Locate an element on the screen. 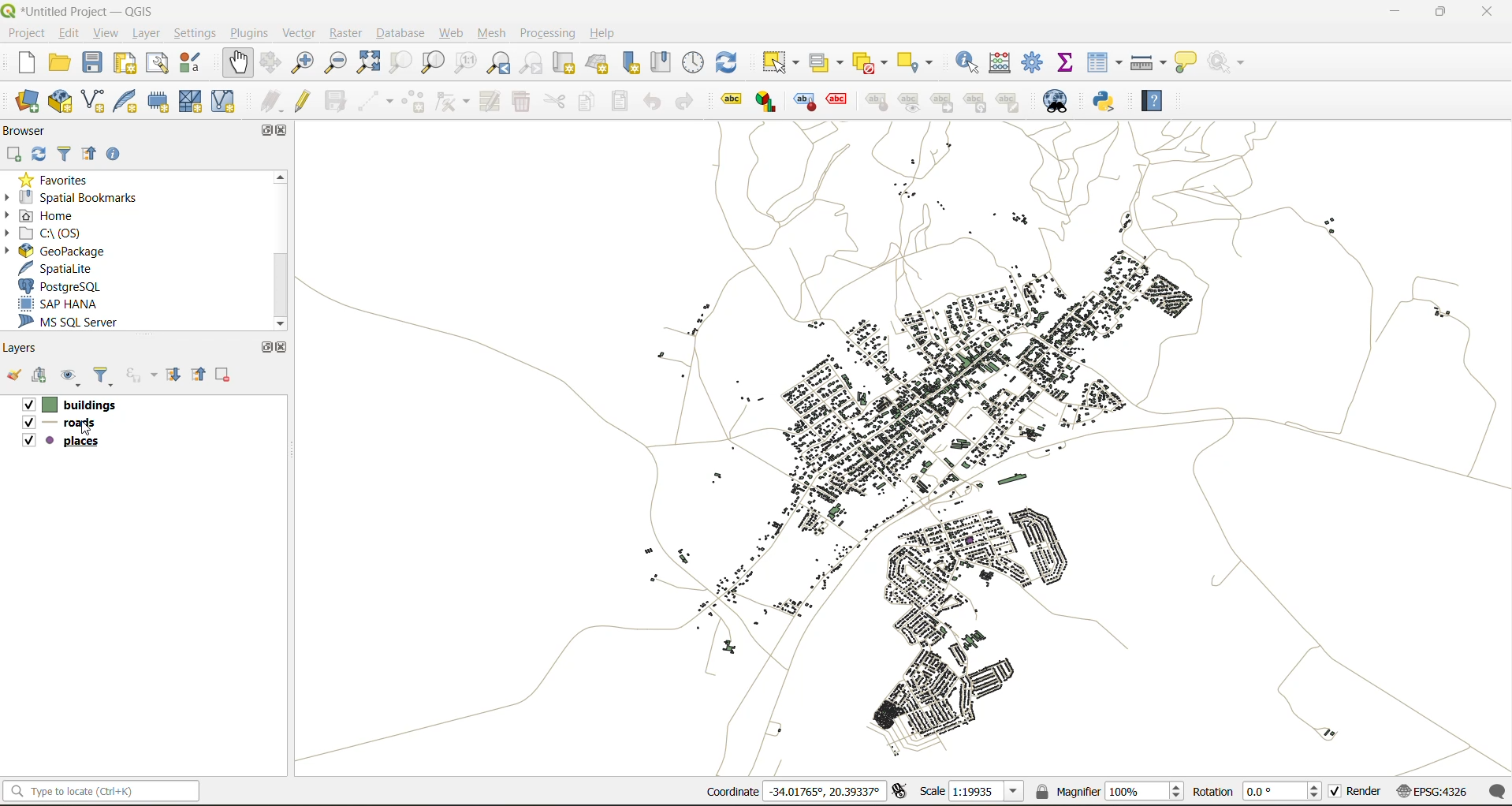 Image resolution: width=1512 pixels, height=806 pixels. select is located at coordinates (780, 63).